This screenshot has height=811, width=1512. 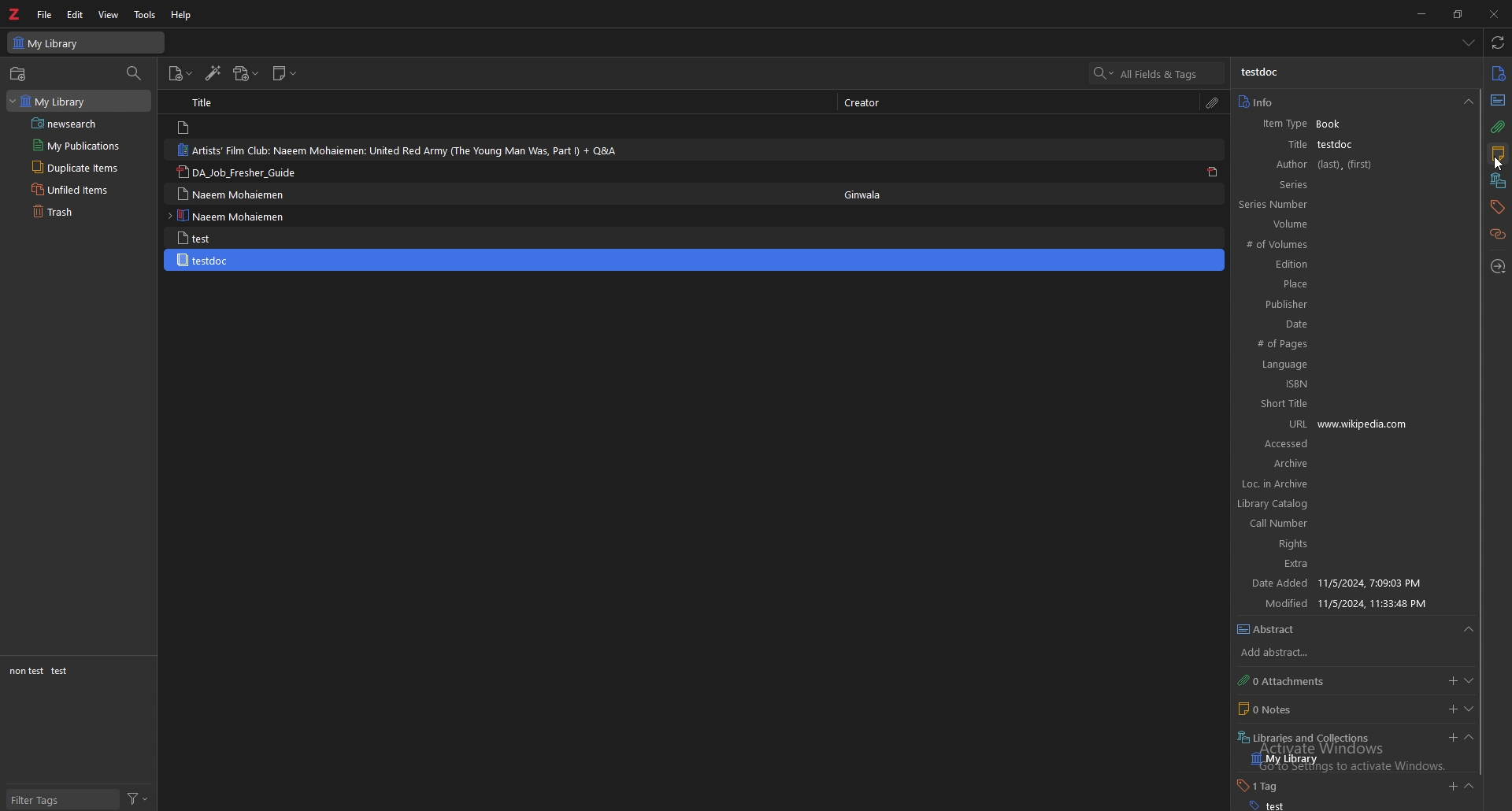 What do you see at coordinates (81, 168) in the screenshot?
I see `duplicate items` at bounding box center [81, 168].